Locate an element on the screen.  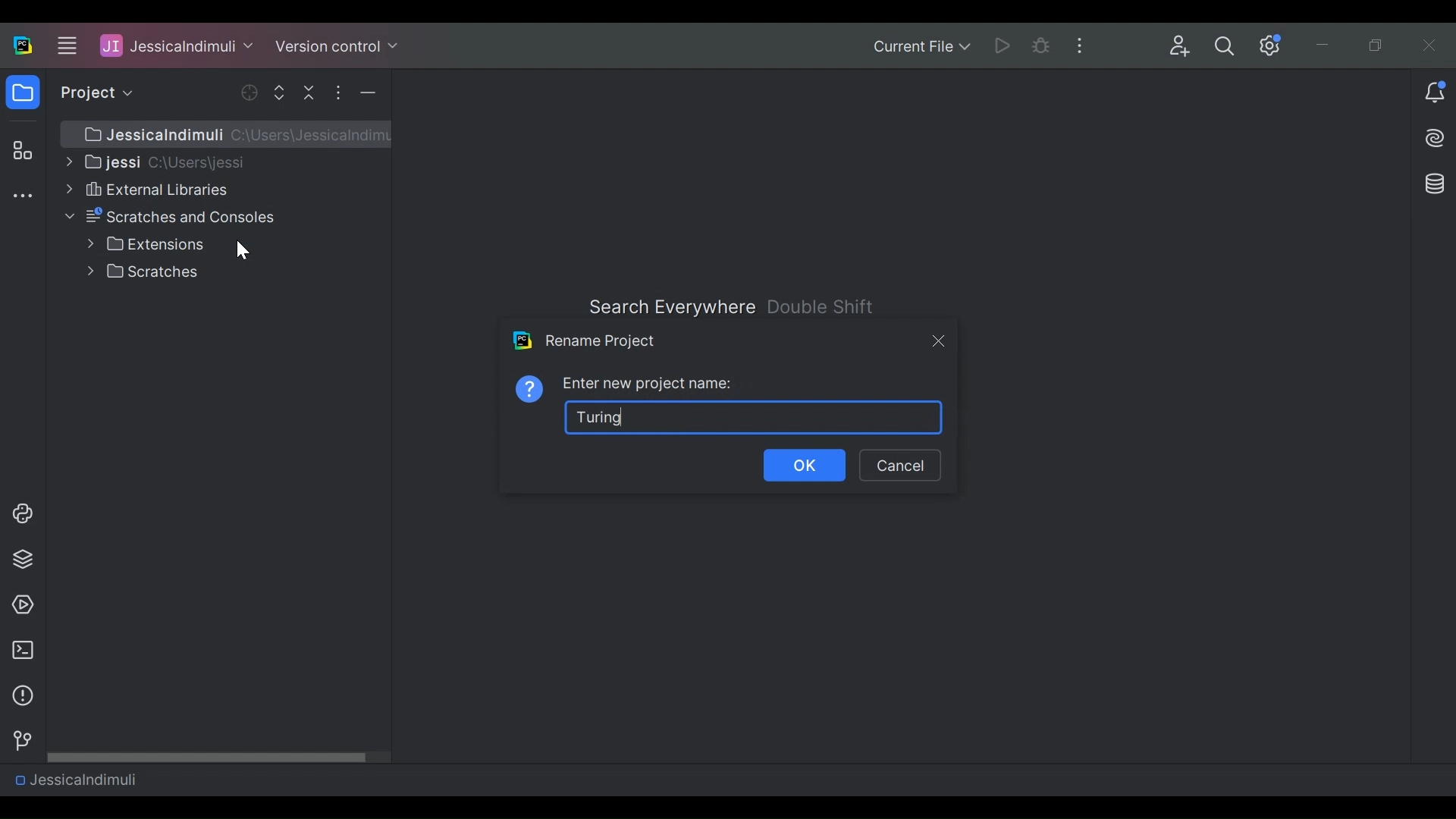
Information is located at coordinates (530, 388).